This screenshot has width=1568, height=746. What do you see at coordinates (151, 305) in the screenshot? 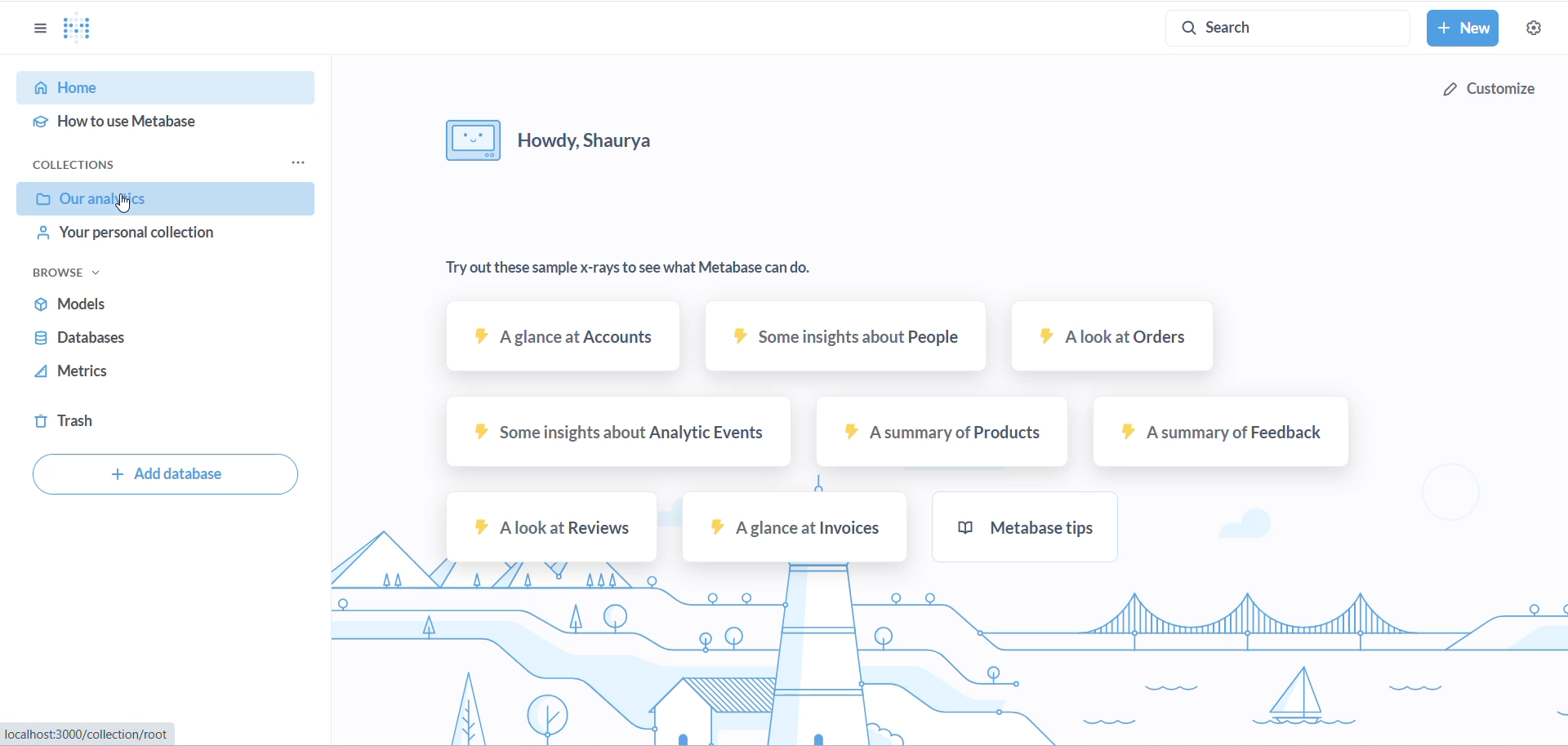
I see `models` at bounding box center [151, 305].